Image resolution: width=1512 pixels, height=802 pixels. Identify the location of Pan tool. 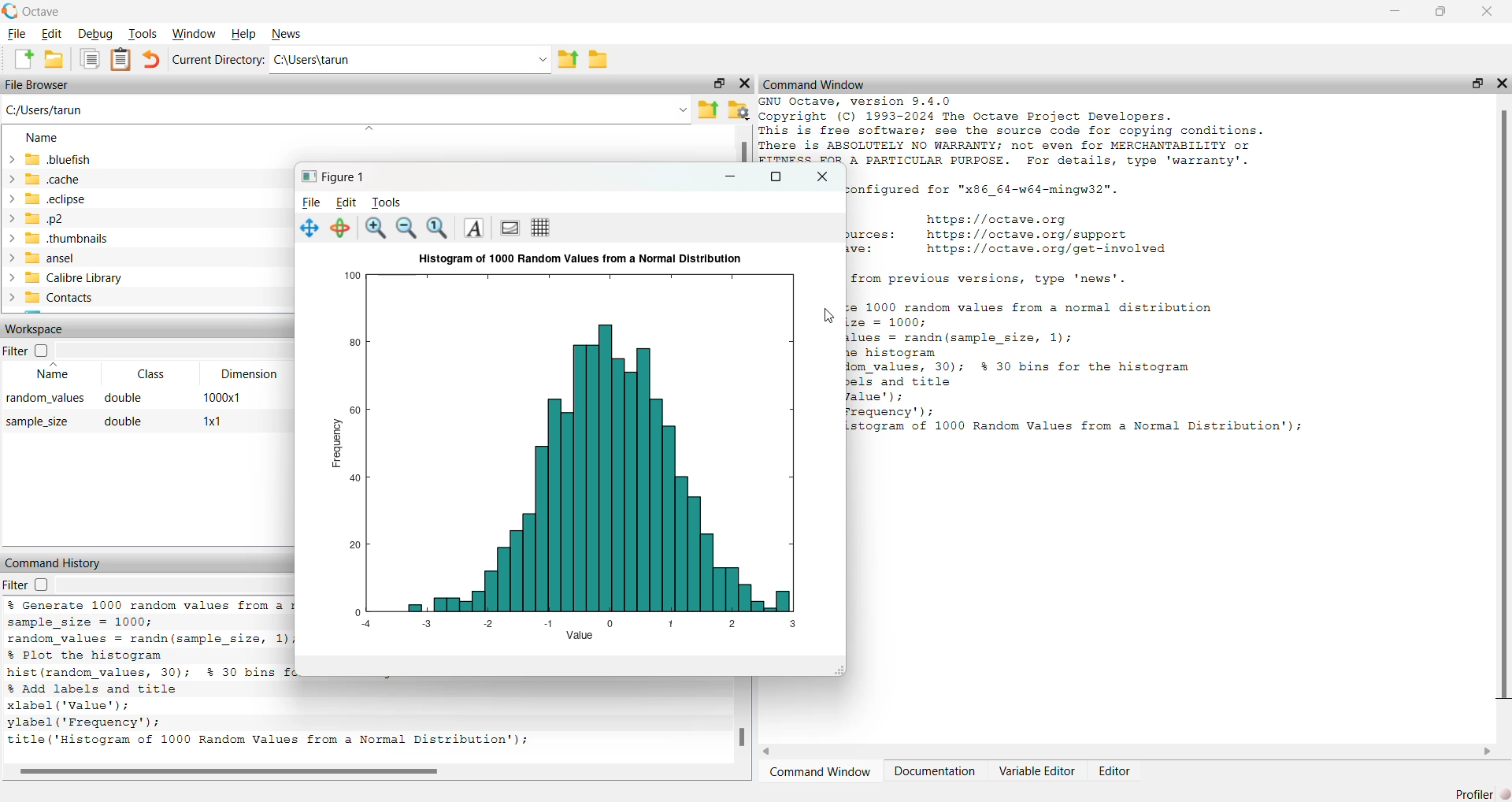
(309, 228).